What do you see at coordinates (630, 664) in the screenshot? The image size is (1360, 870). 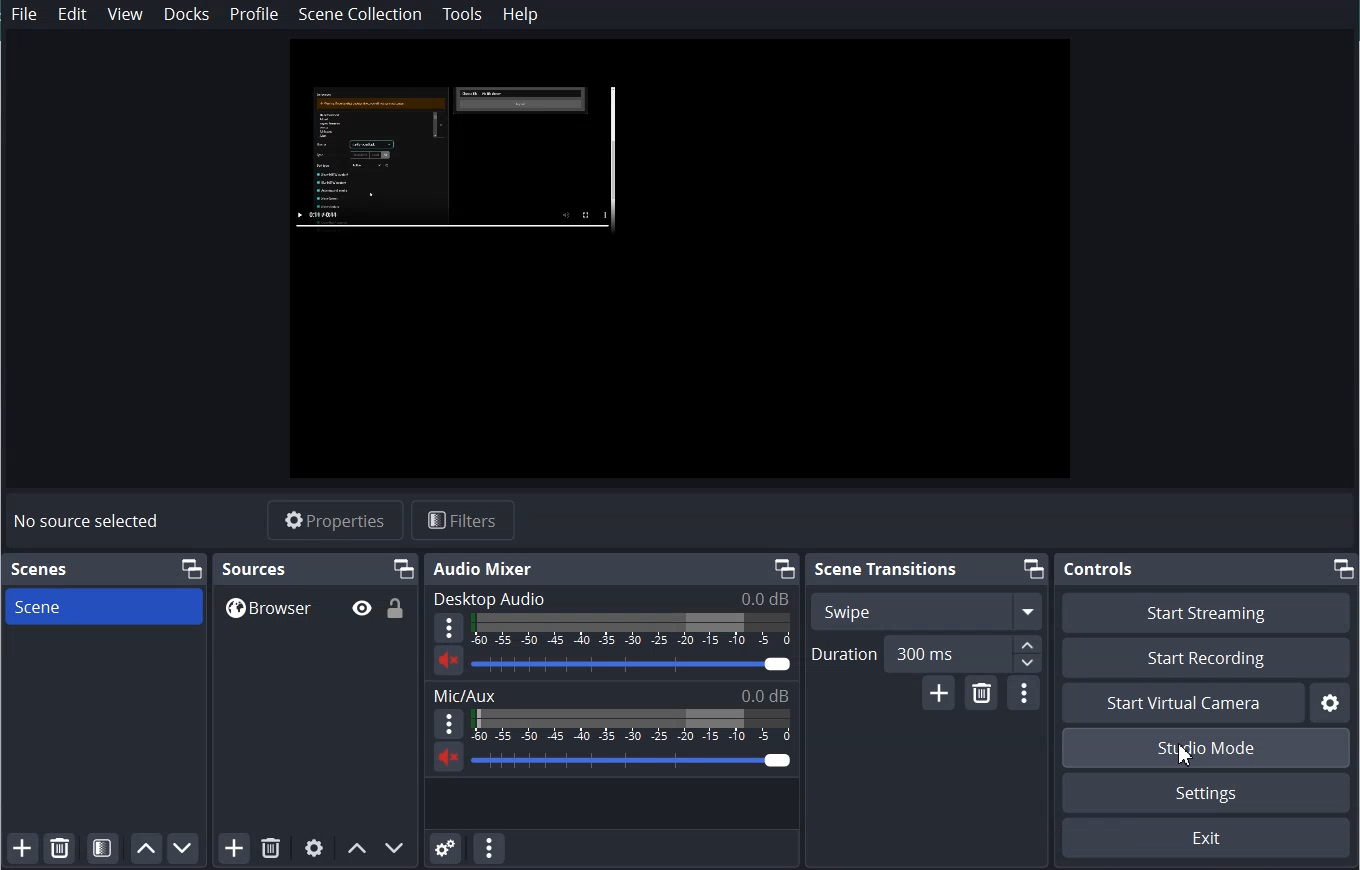 I see `Volume Adjuster` at bounding box center [630, 664].